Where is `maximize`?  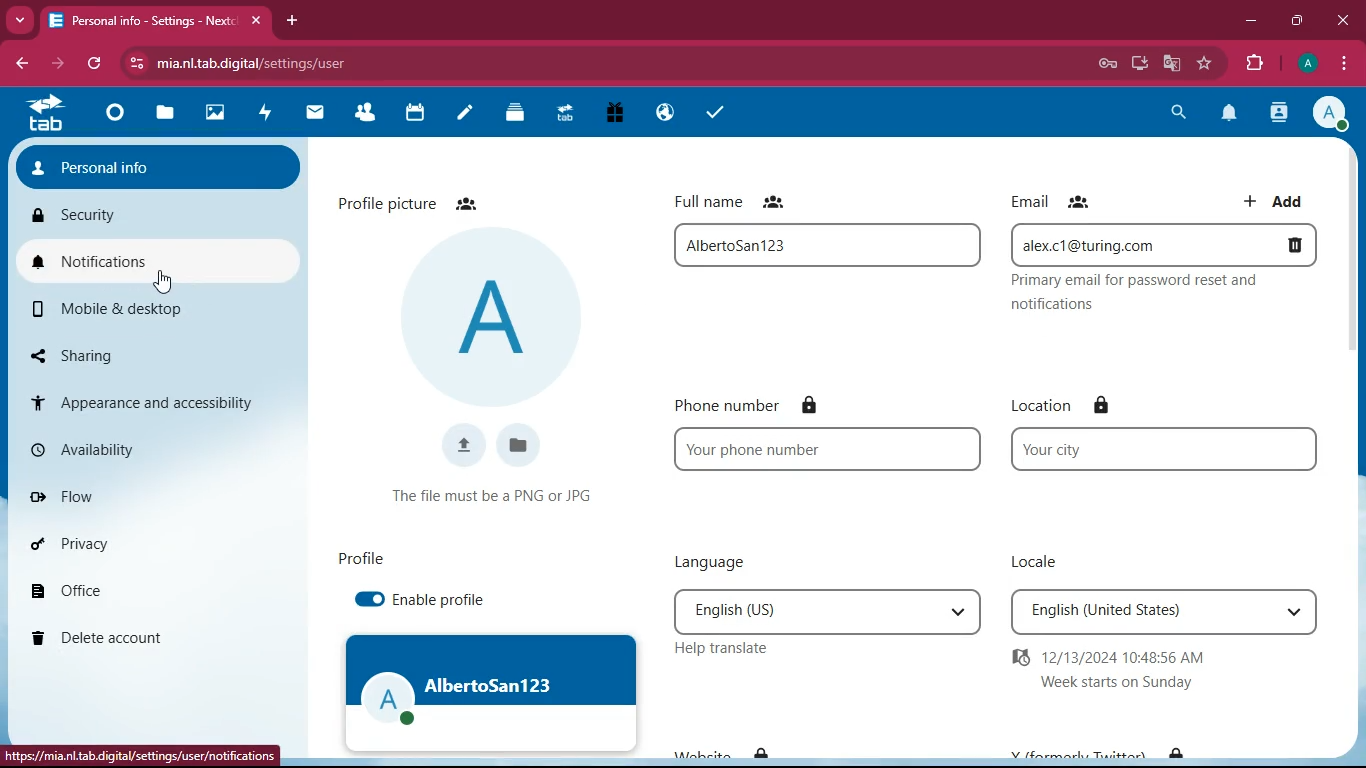
maximize is located at coordinates (1295, 22).